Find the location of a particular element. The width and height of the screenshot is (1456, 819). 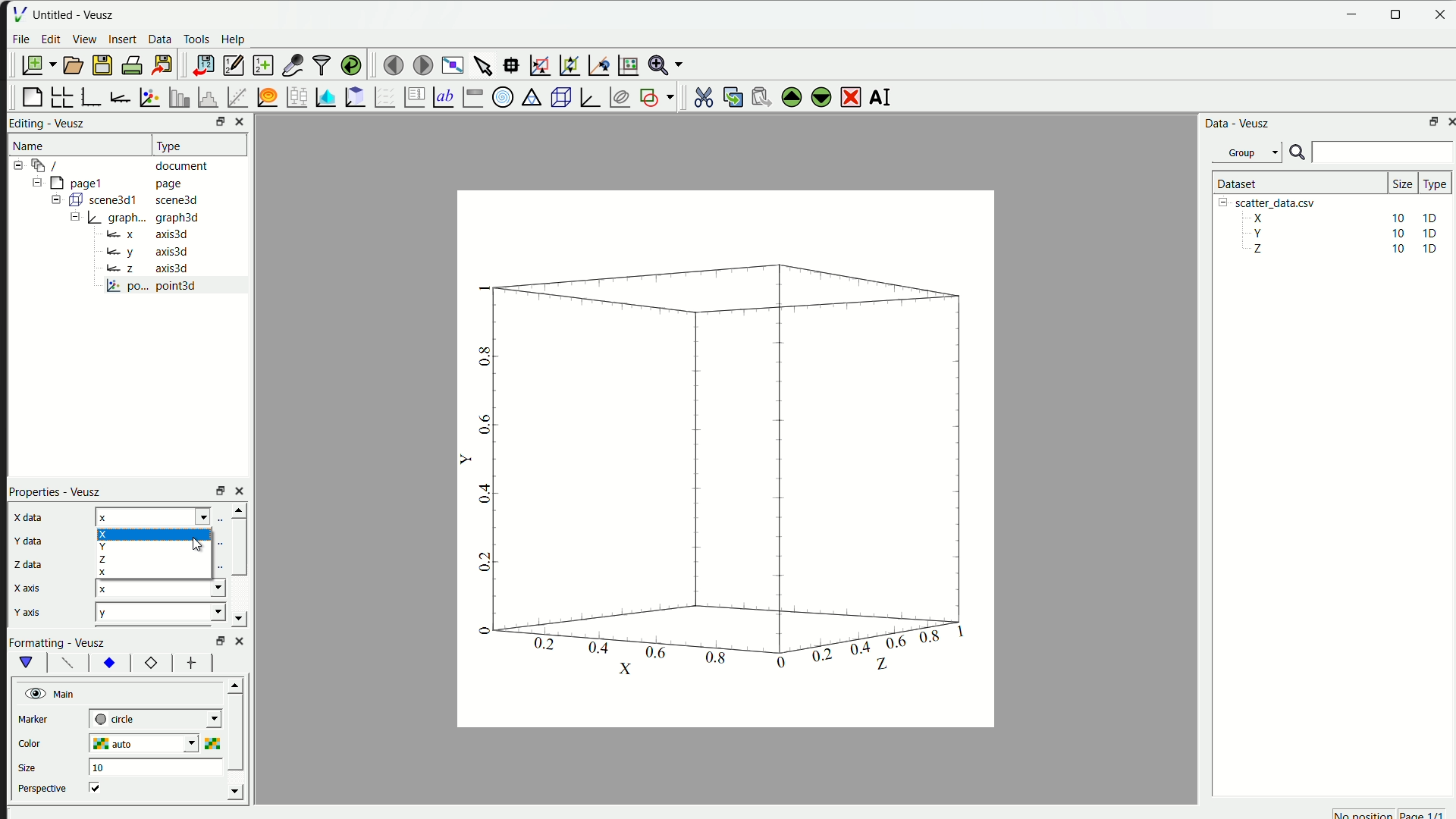

canvas is located at coordinates (723, 461).